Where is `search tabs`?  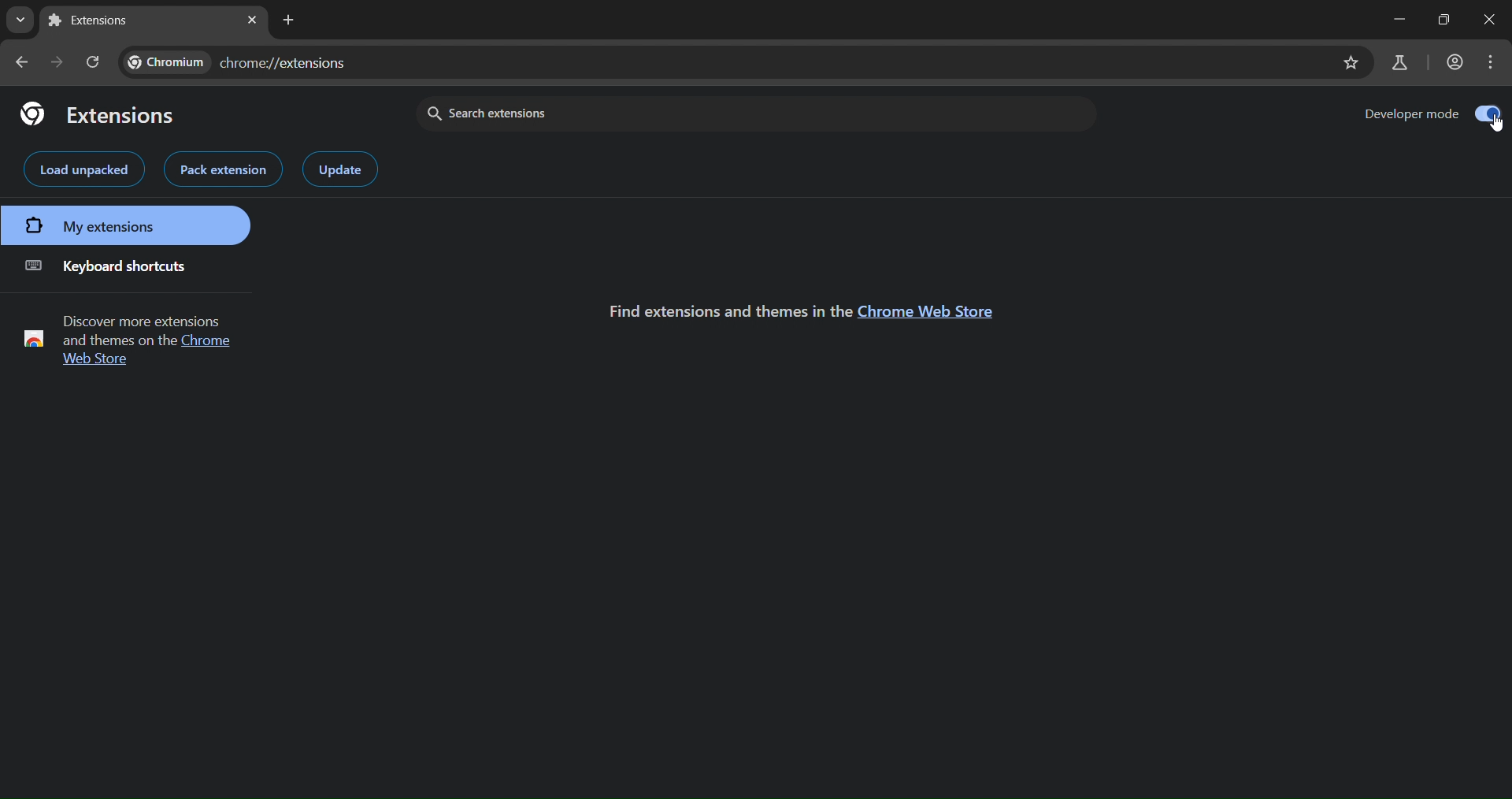 search tabs is located at coordinates (20, 17).